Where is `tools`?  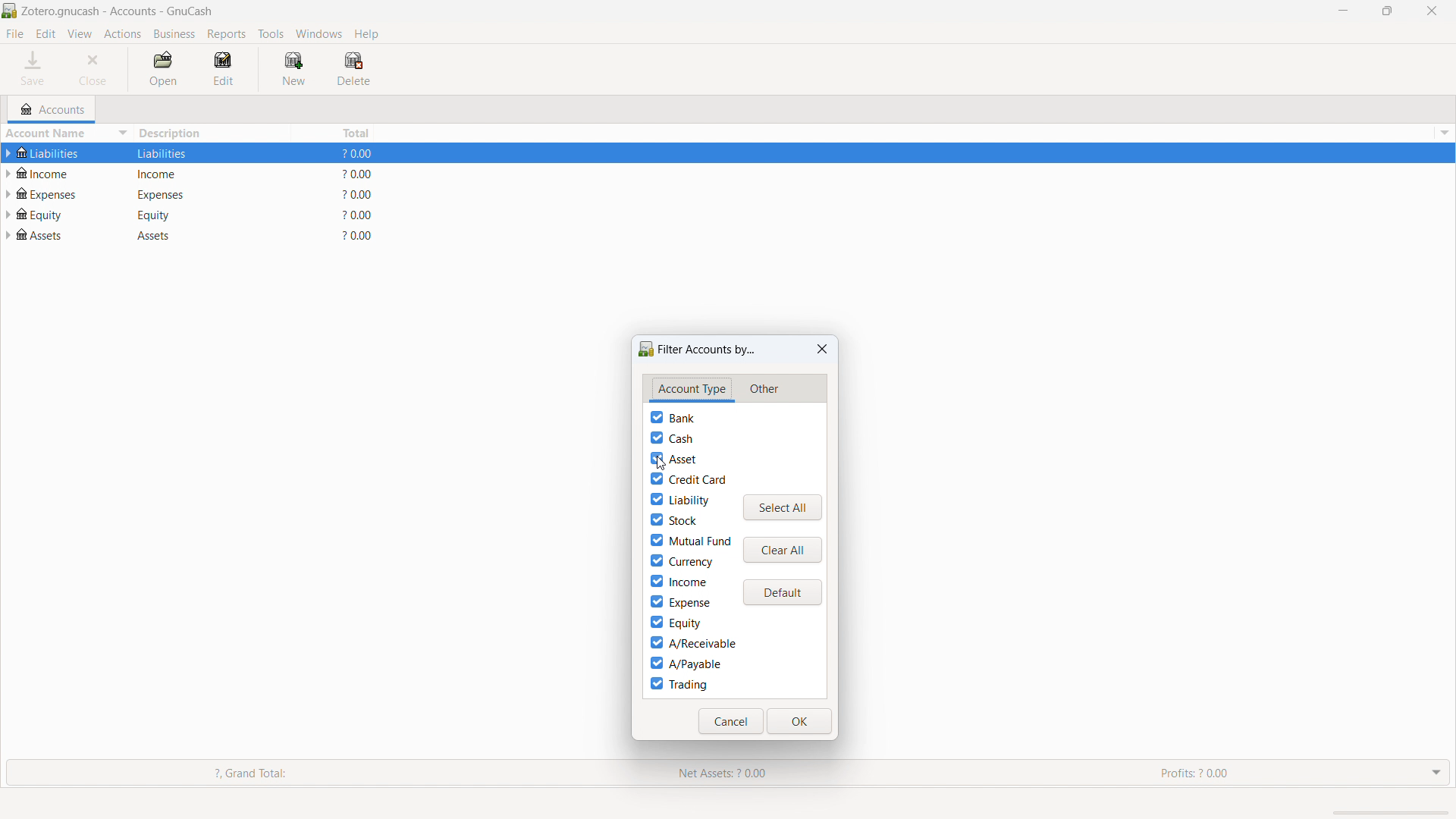 tools is located at coordinates (271, 34).